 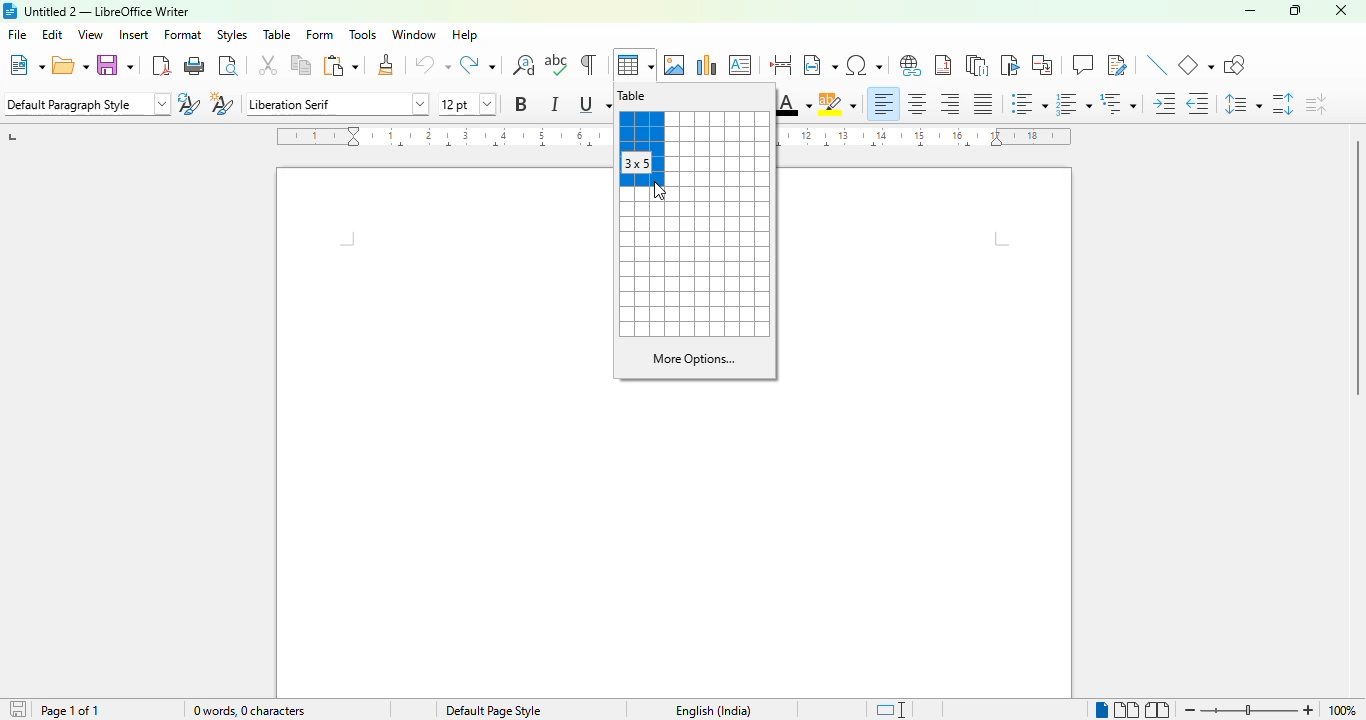 What do you see at coordinates (338, 104) in the screenshot?
I see `font name` at bounding box center [338, 104].